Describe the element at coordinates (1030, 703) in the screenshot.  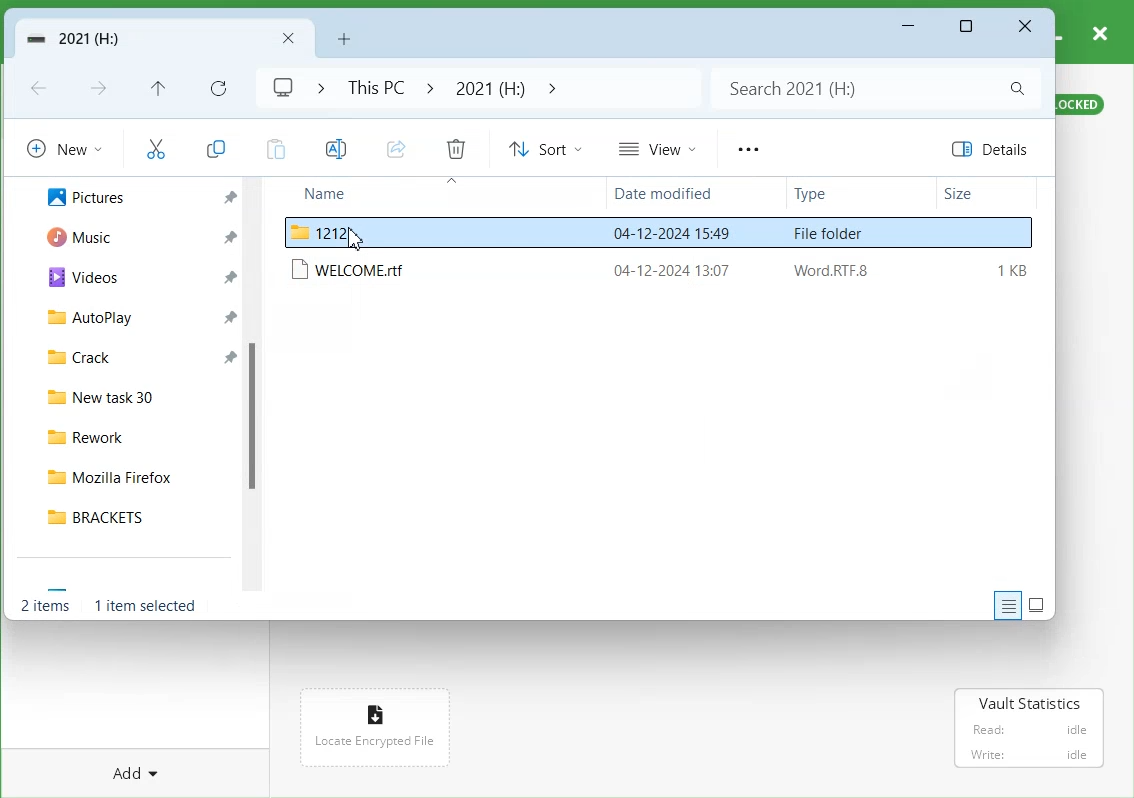
I see `Vault Statistics` at that location.